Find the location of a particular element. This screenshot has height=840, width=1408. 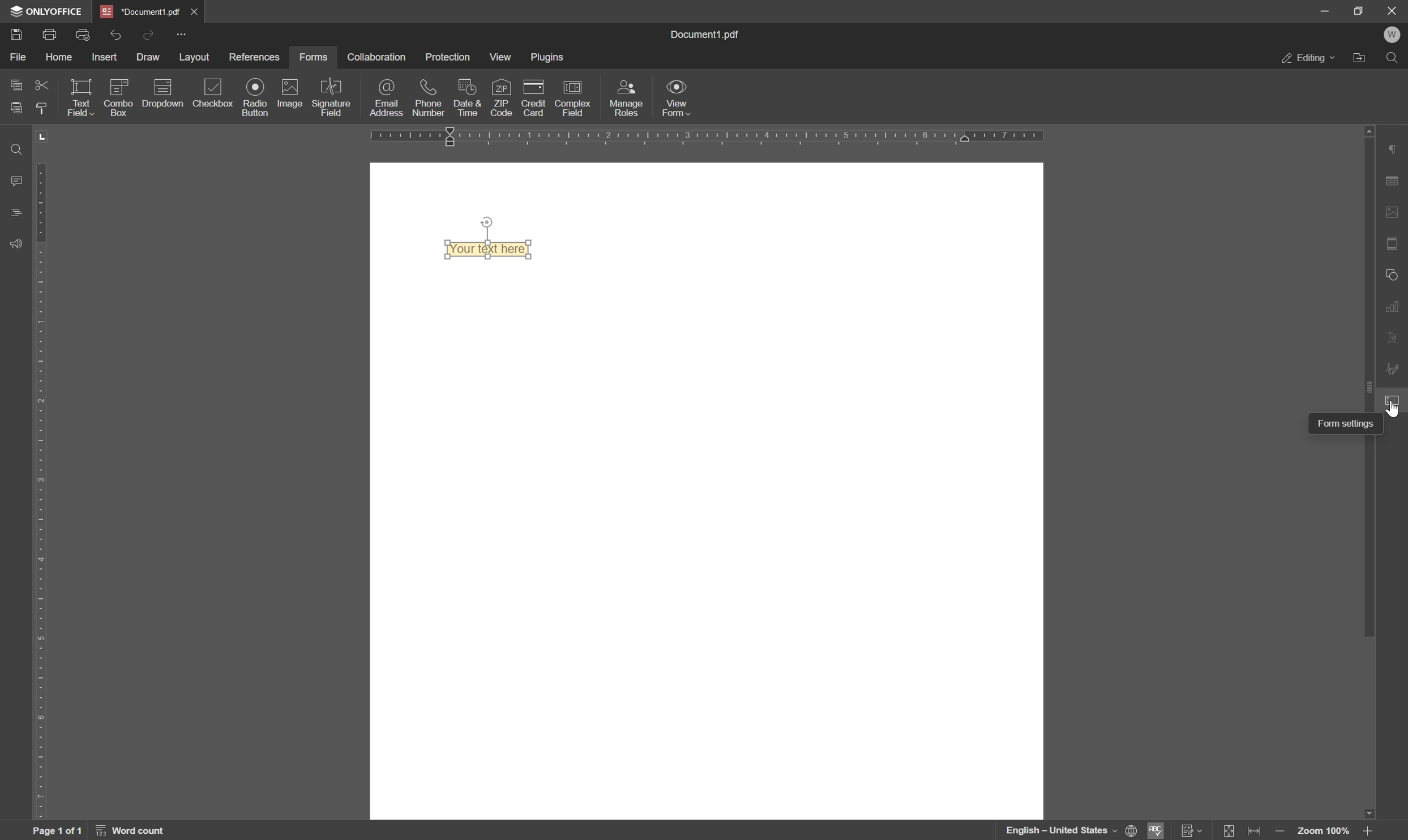

undo is located at coordinates (117, 34).